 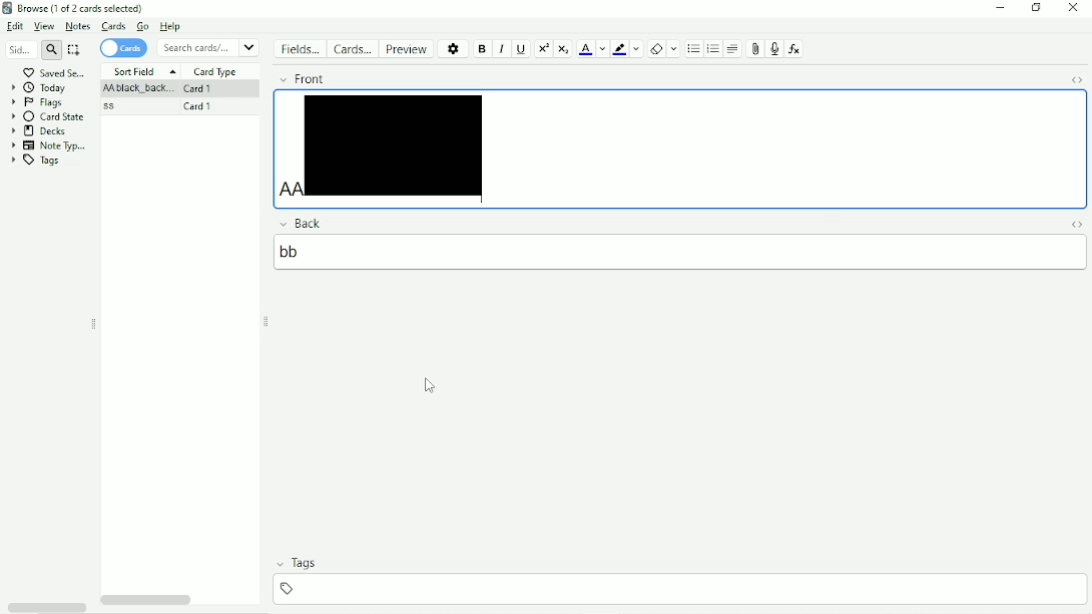 What do you see at coordinates (680, 588) in the screenshot?
I see `add tag` at bounding box center [680, 588].